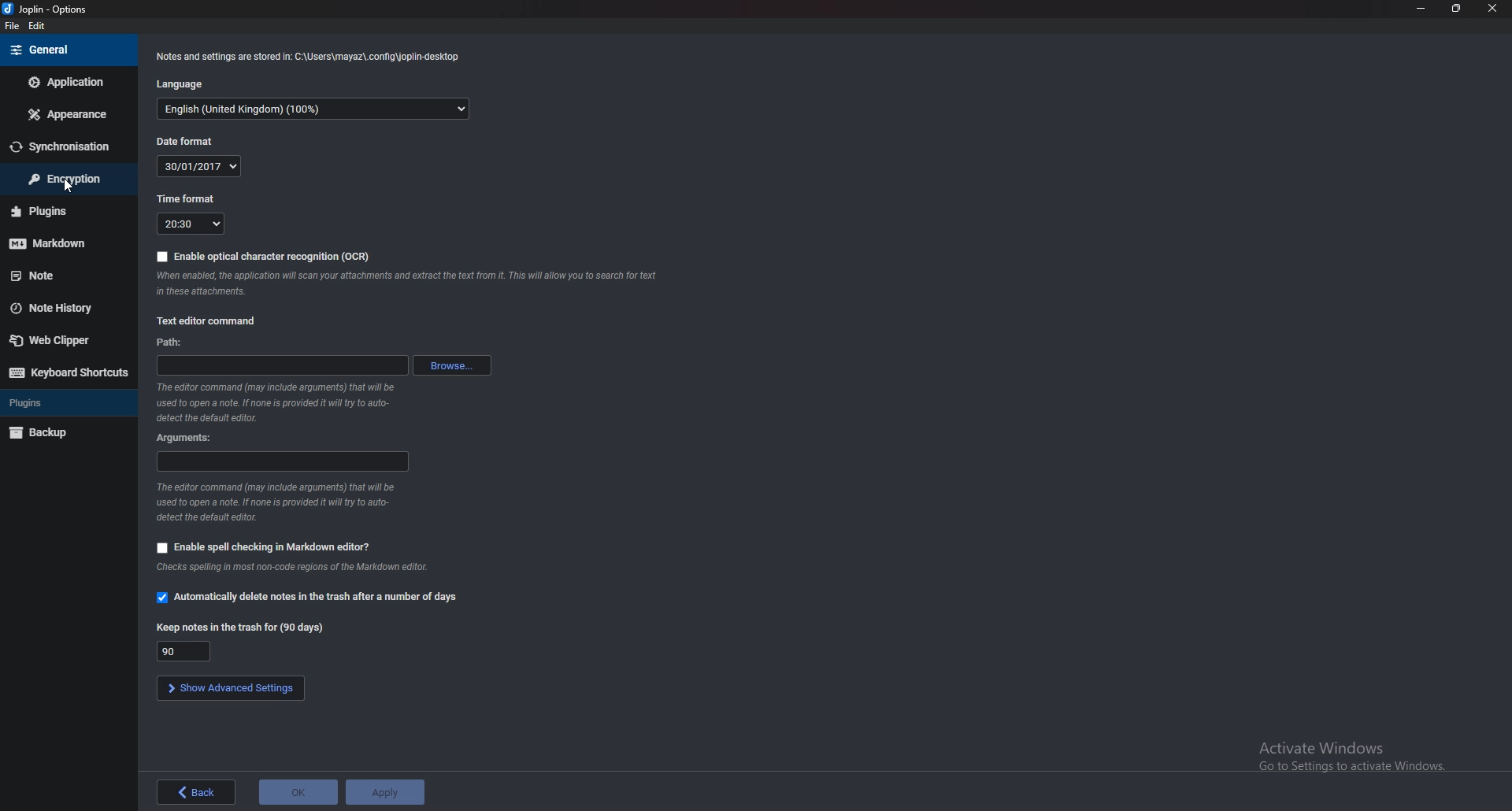  I want to click on info, so click(309, 57).